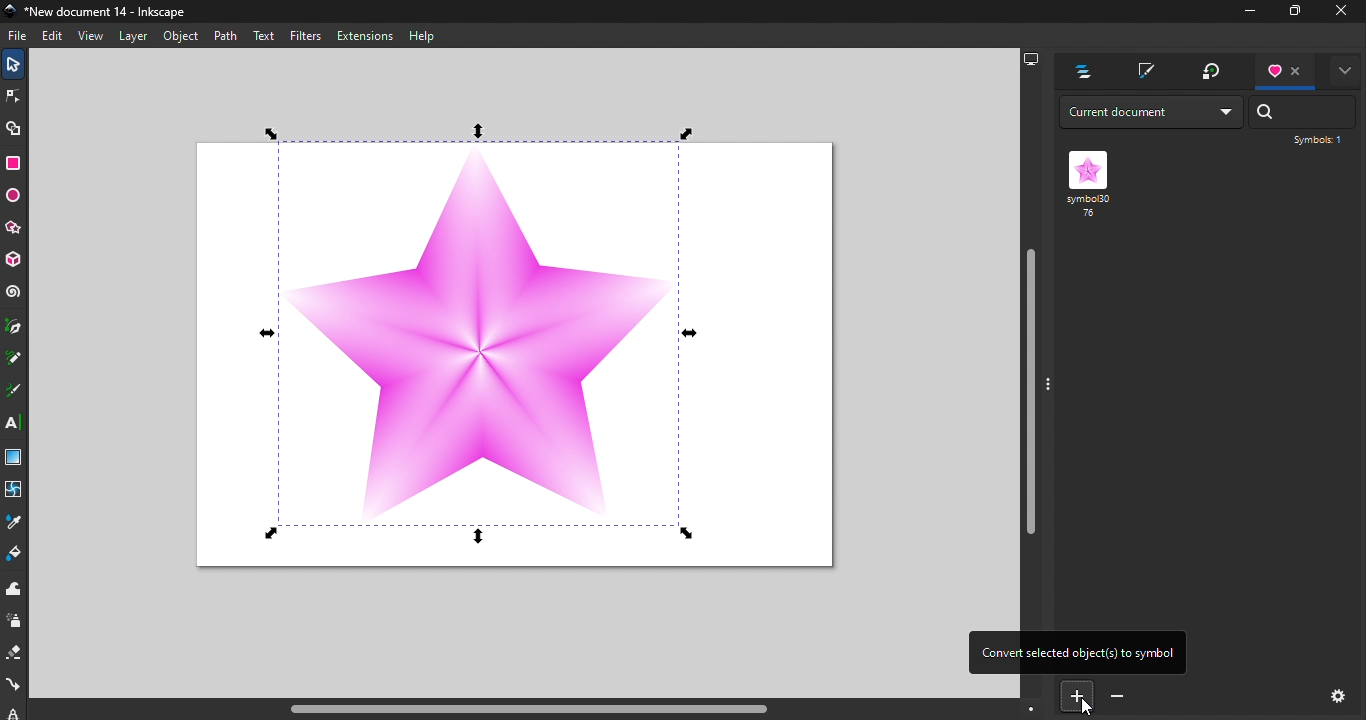  What do you see at coordinates (1075, 695) in the screenshot?
I see `Convert selected object to symbol` at bounding box center [1075, 695].